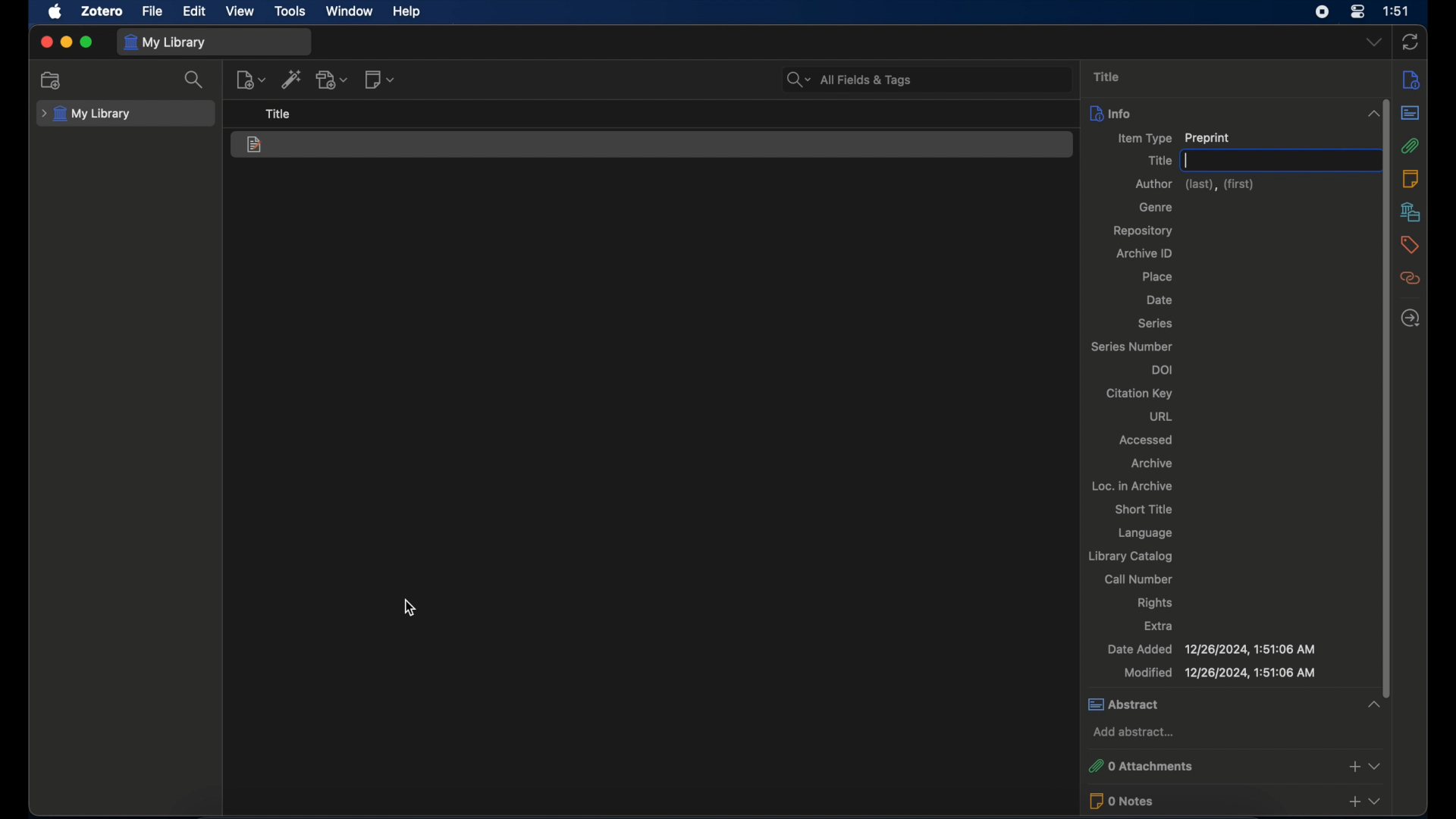 Image resolution: width=1456 pixels, height=819 pixels. I want to click on All Fields & Tags, so click(924, 79).